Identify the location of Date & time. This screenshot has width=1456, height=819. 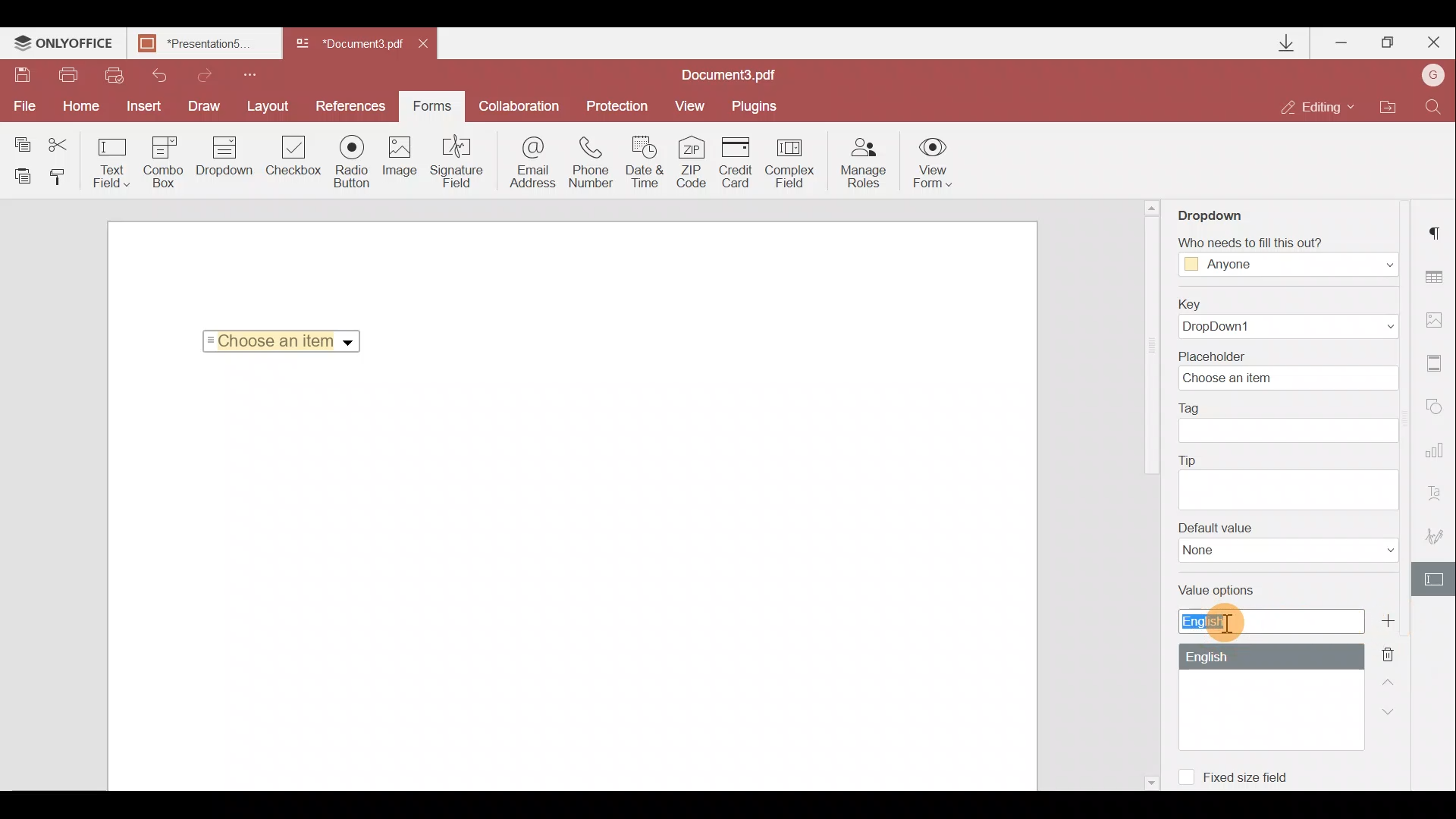
(646, 165).